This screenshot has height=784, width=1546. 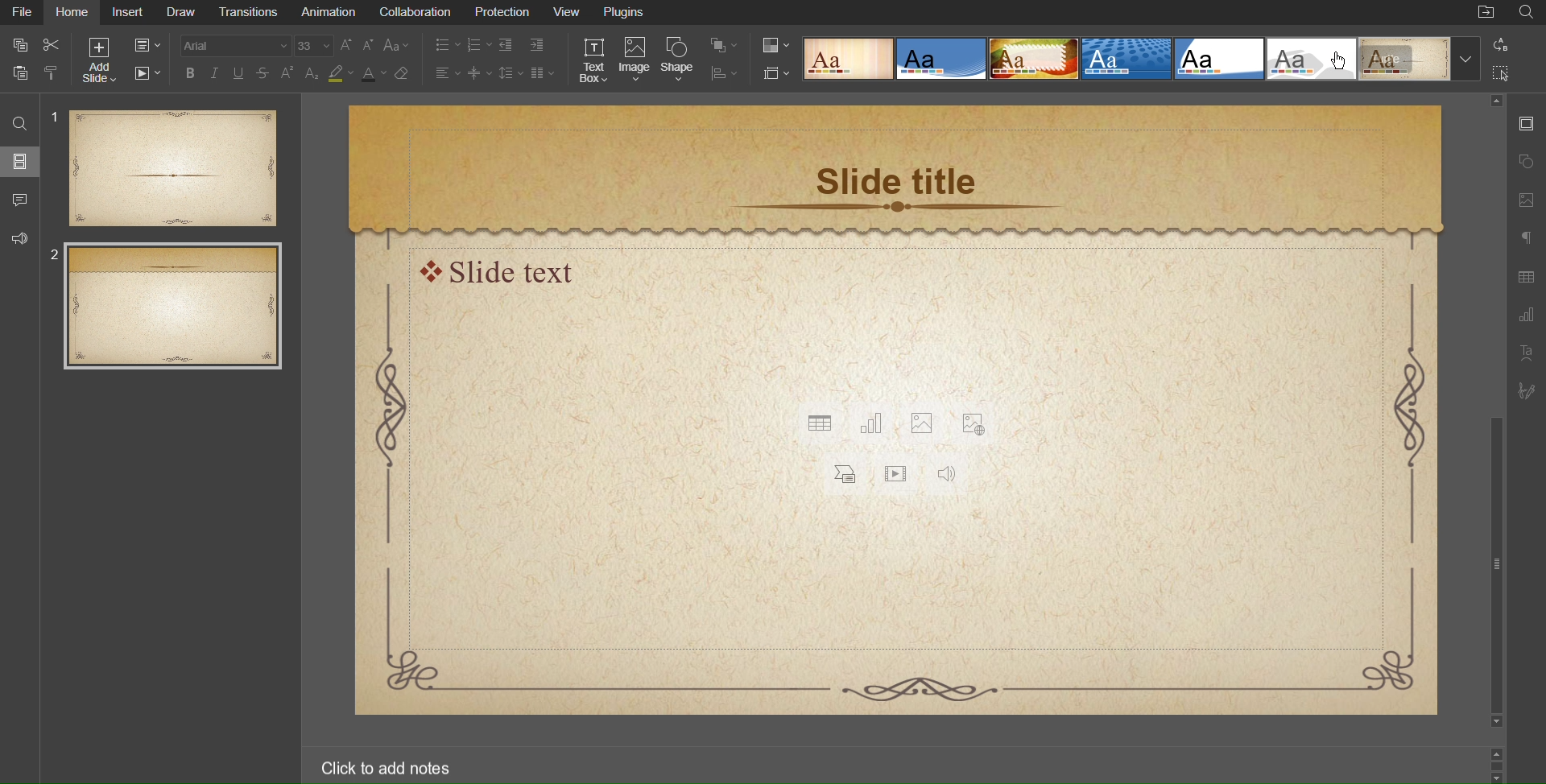 I want to click on Image, so click(x=635, y=61).